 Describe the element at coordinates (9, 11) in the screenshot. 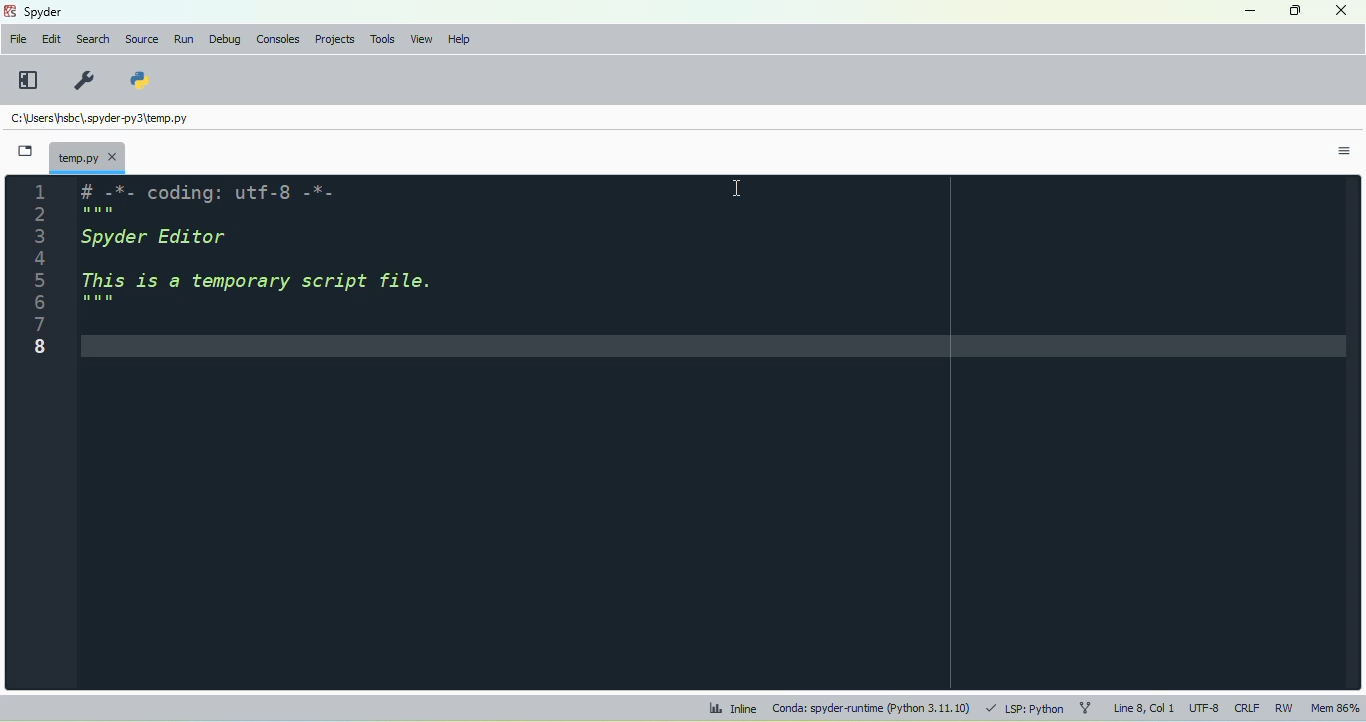

I see `logo` at that location.